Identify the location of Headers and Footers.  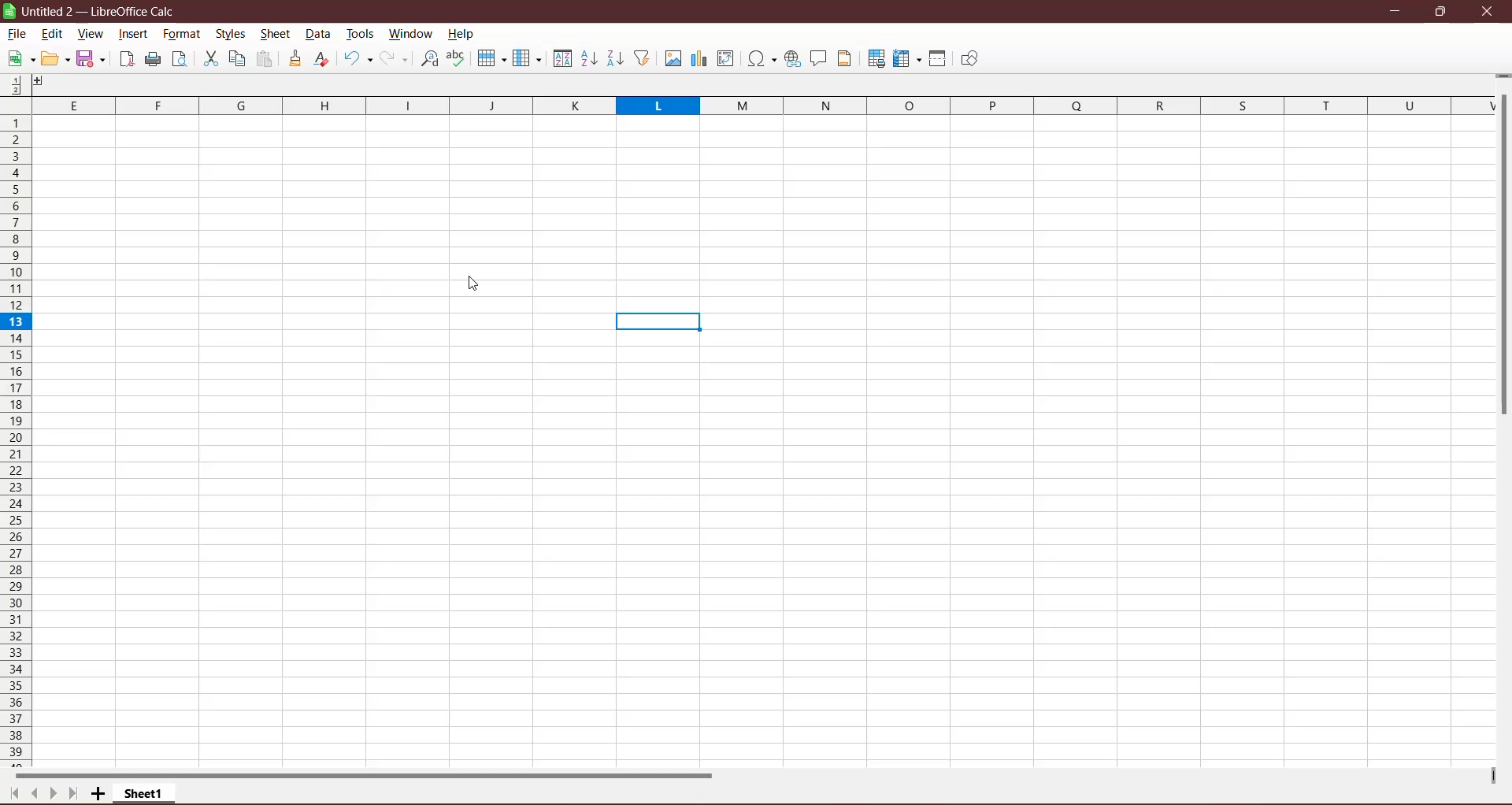
(847, 58).